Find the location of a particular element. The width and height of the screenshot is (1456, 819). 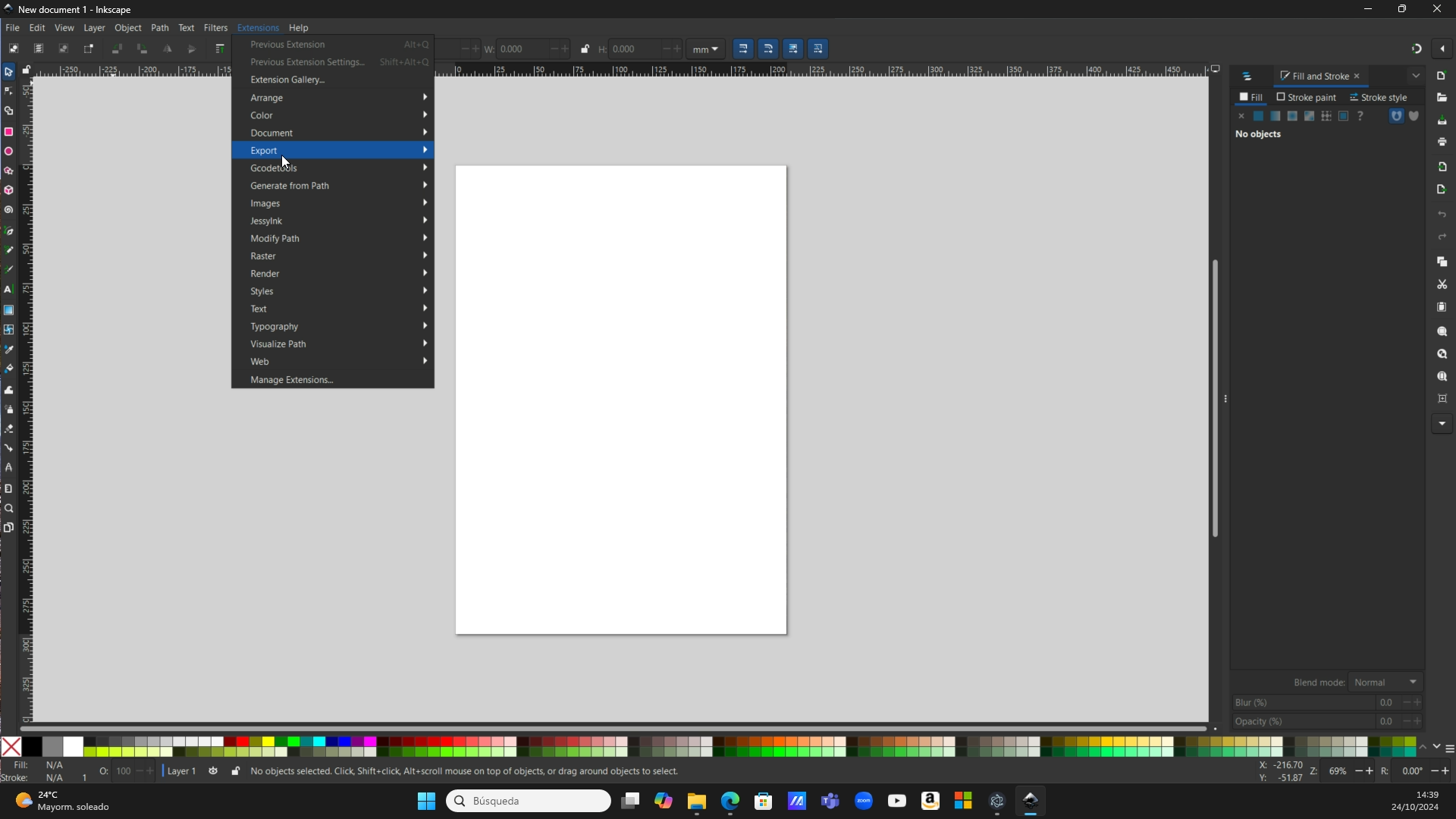

File is located at coordinates (14, 28).